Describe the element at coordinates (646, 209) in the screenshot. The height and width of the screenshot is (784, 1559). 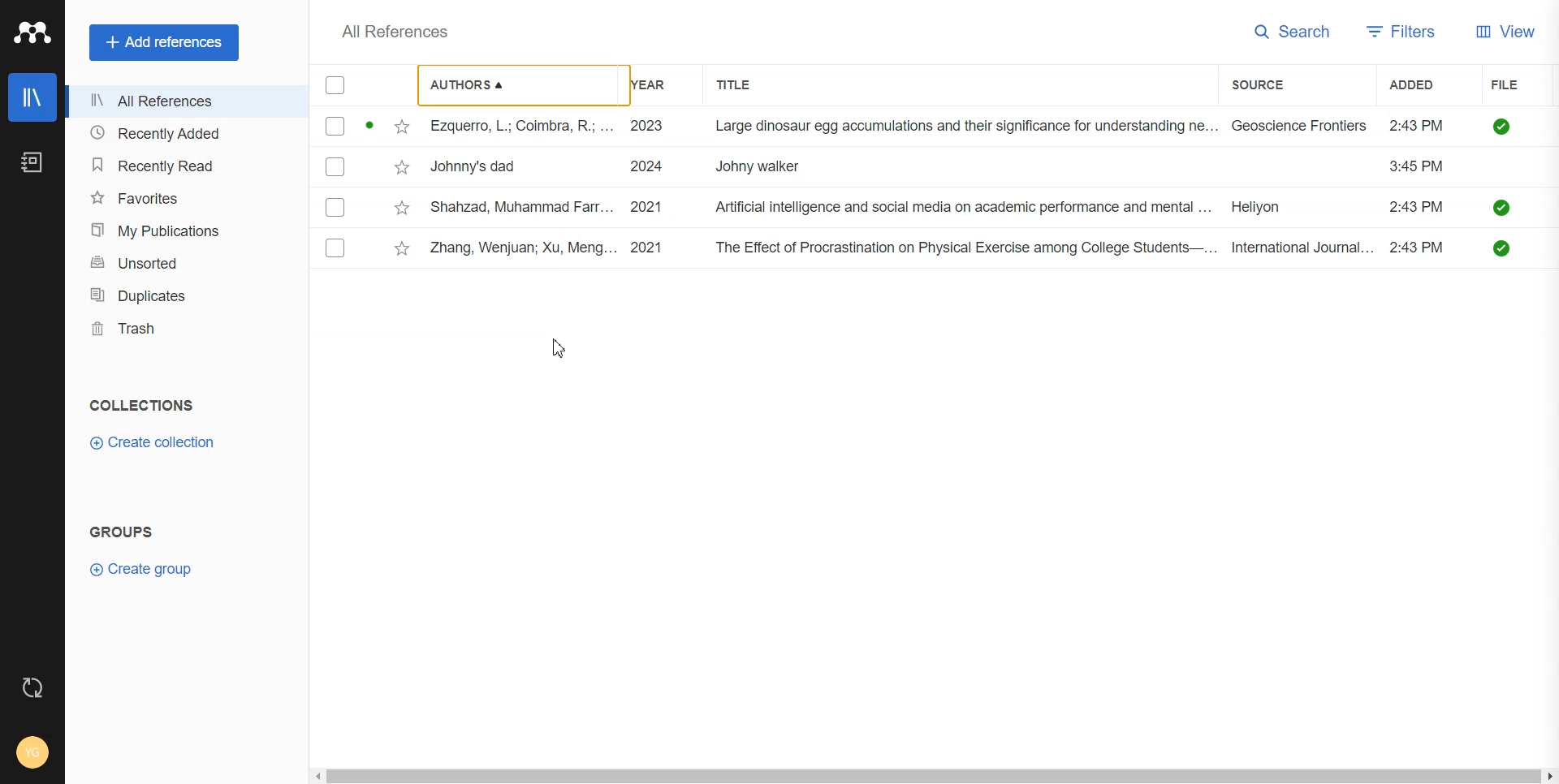
I see `2021` at that location.